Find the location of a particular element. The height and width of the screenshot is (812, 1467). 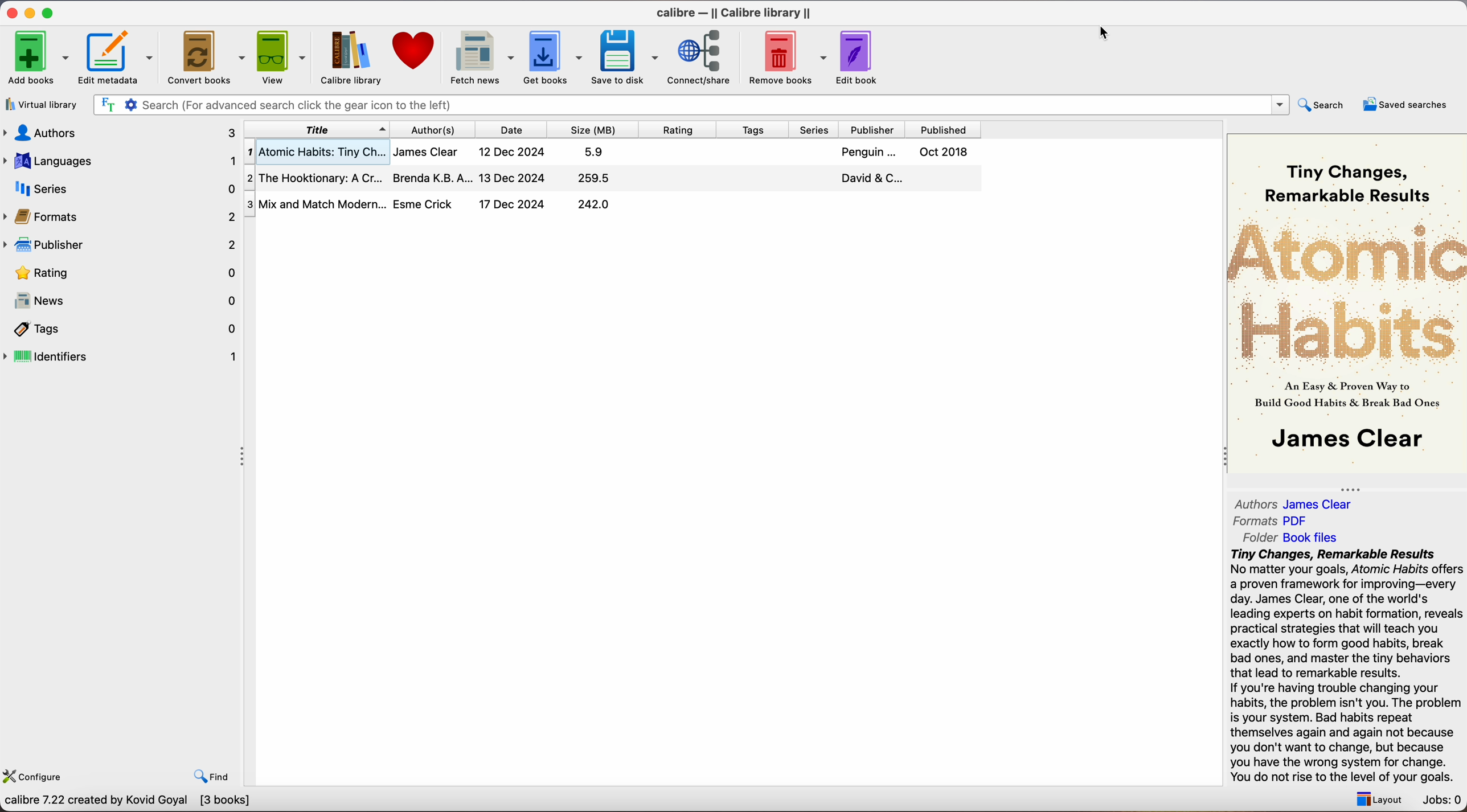

Authors James Clear is located at coordinates (1294, 505).